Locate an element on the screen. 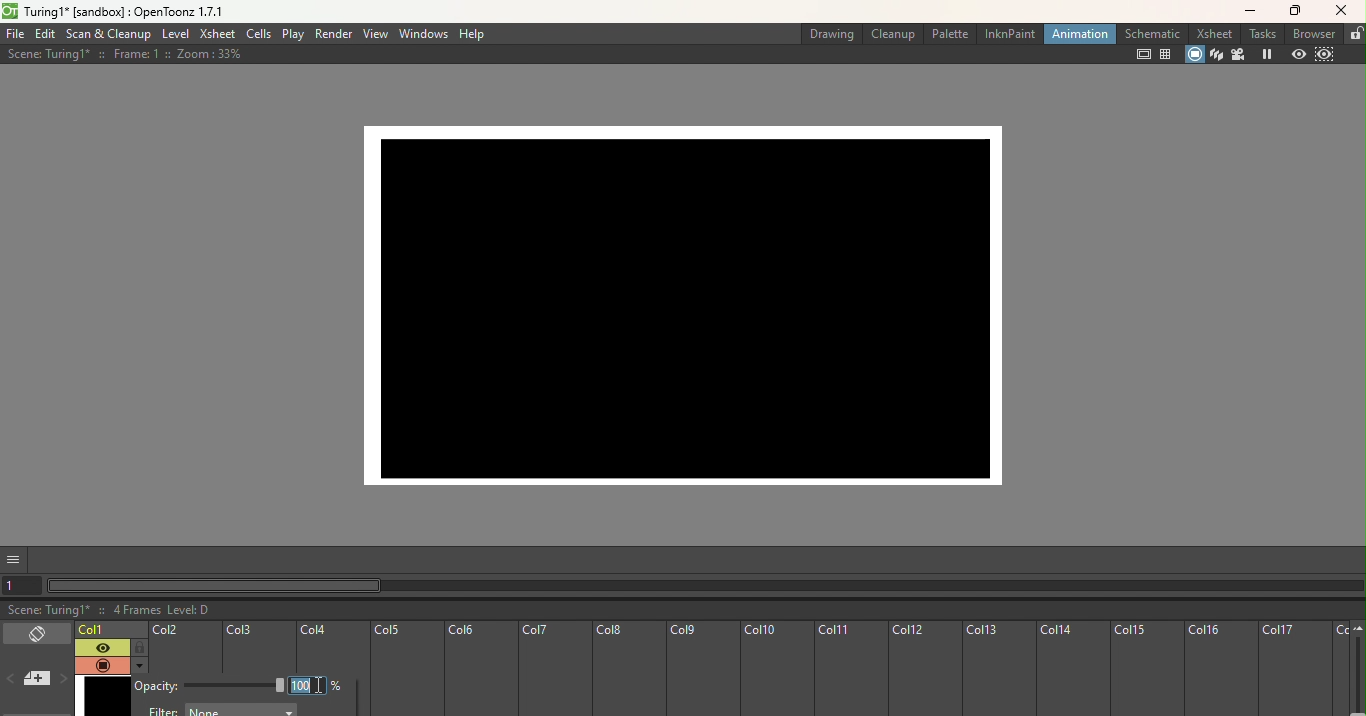  GUI show/hide is located at coordinates (15, 560).